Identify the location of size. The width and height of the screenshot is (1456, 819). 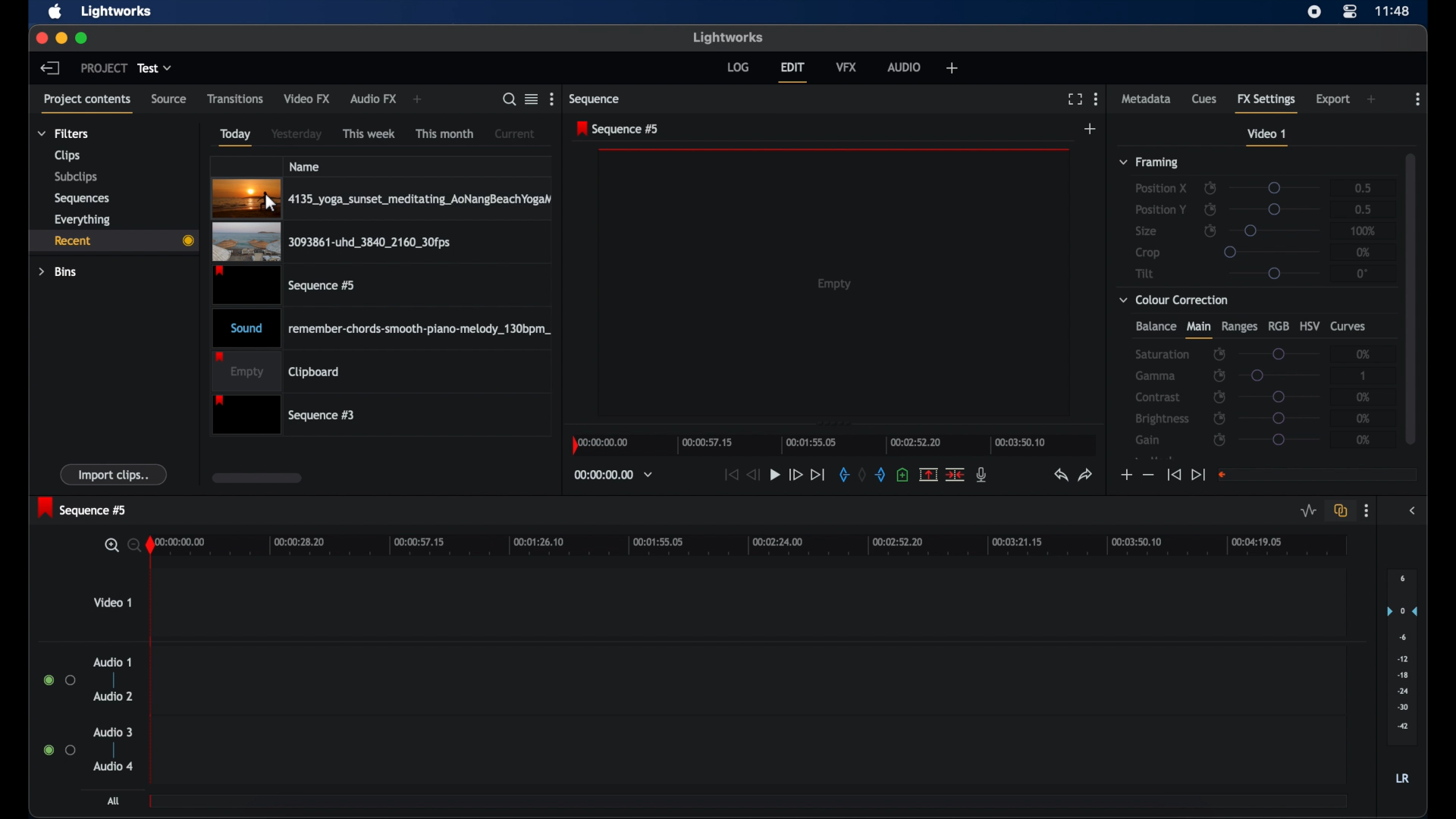
(1147, 232).